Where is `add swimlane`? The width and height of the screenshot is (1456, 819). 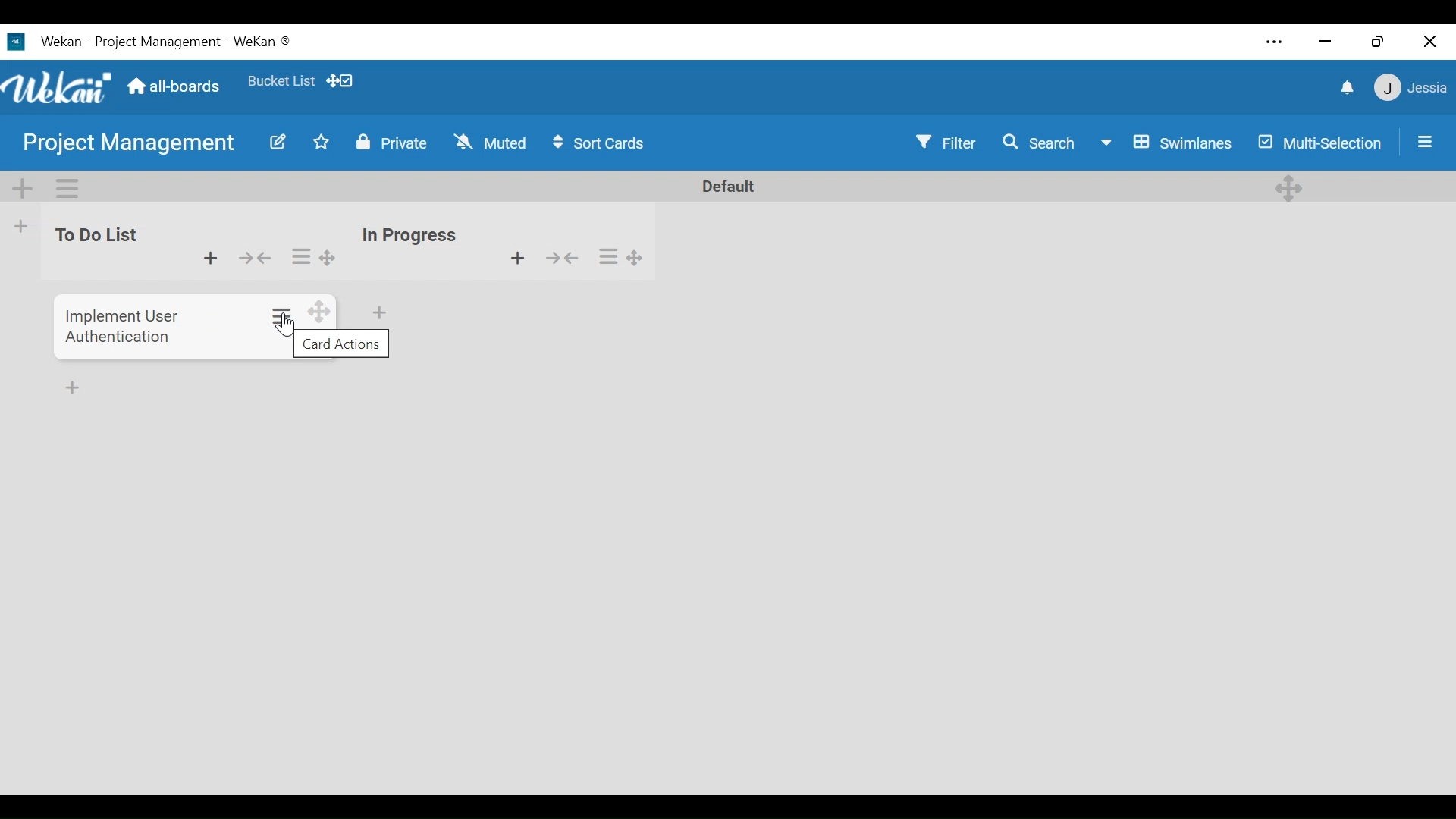
add swimlane is located at coordinates (24, 190).